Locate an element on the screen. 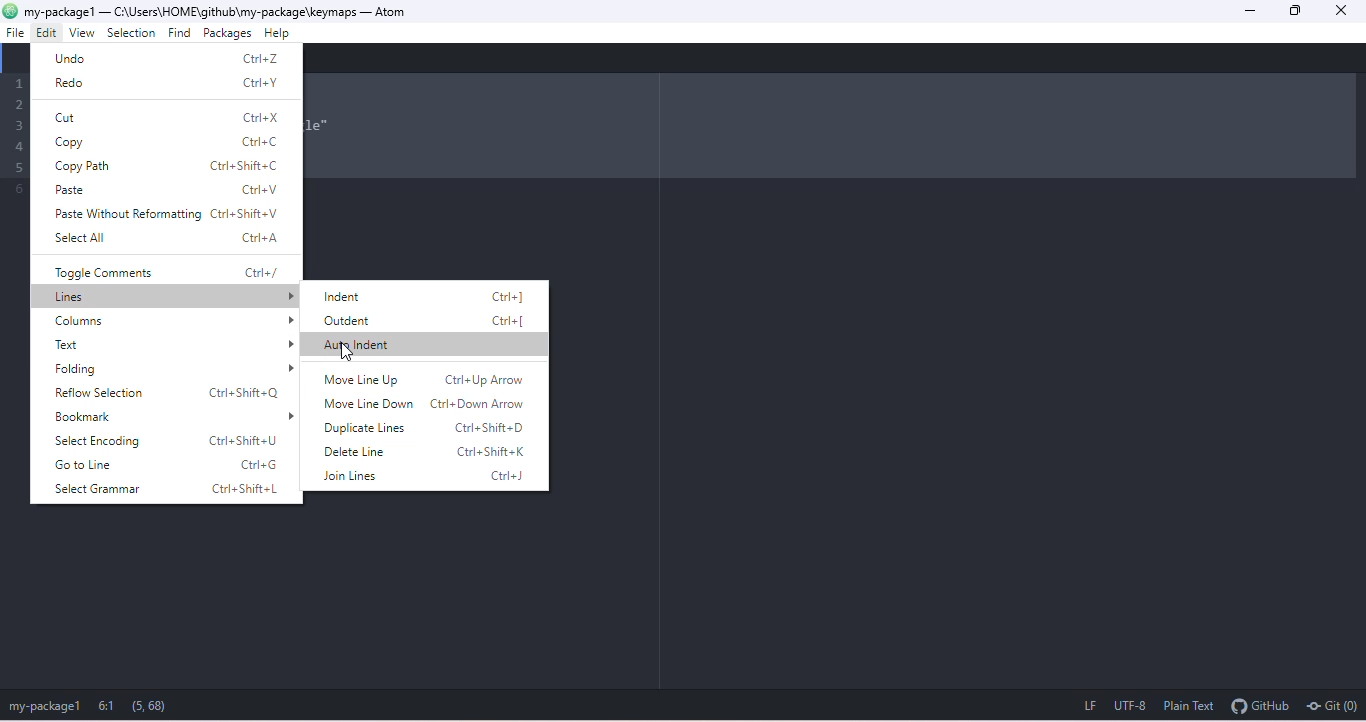  utf 8 is located at coordinates (1132, 708).